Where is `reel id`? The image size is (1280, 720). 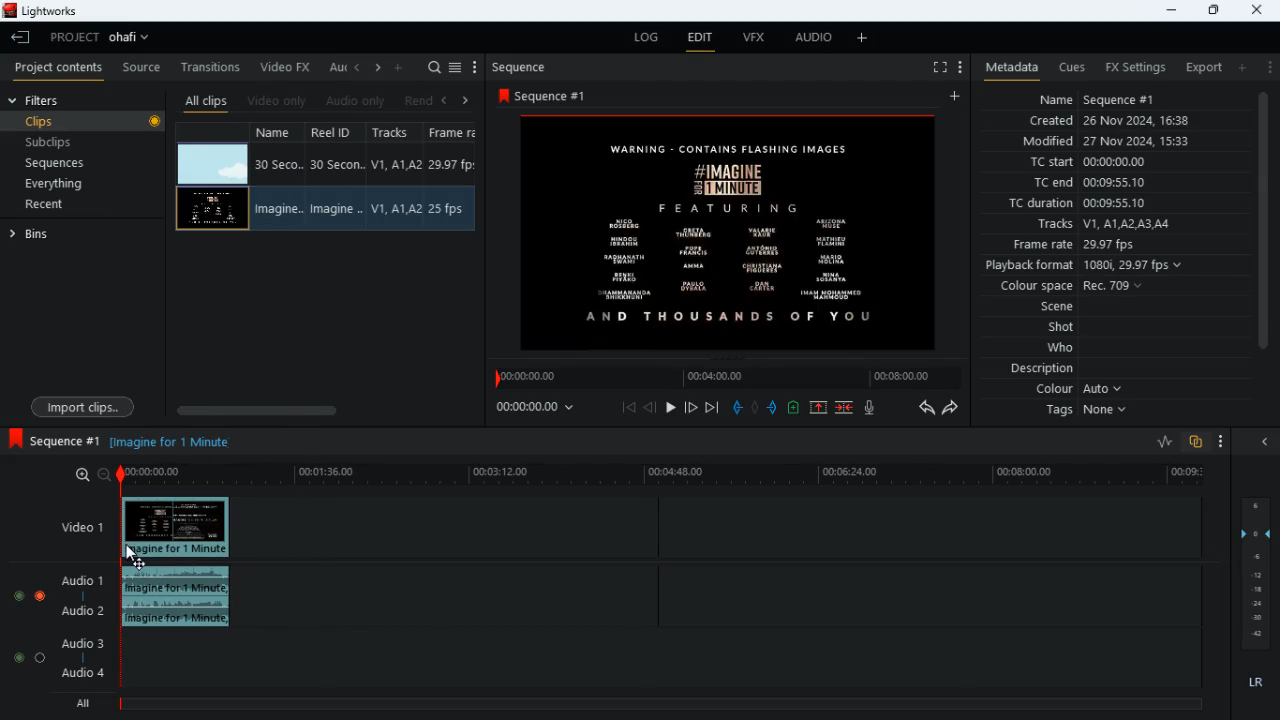 reel id is located at coordinates (334, 135).